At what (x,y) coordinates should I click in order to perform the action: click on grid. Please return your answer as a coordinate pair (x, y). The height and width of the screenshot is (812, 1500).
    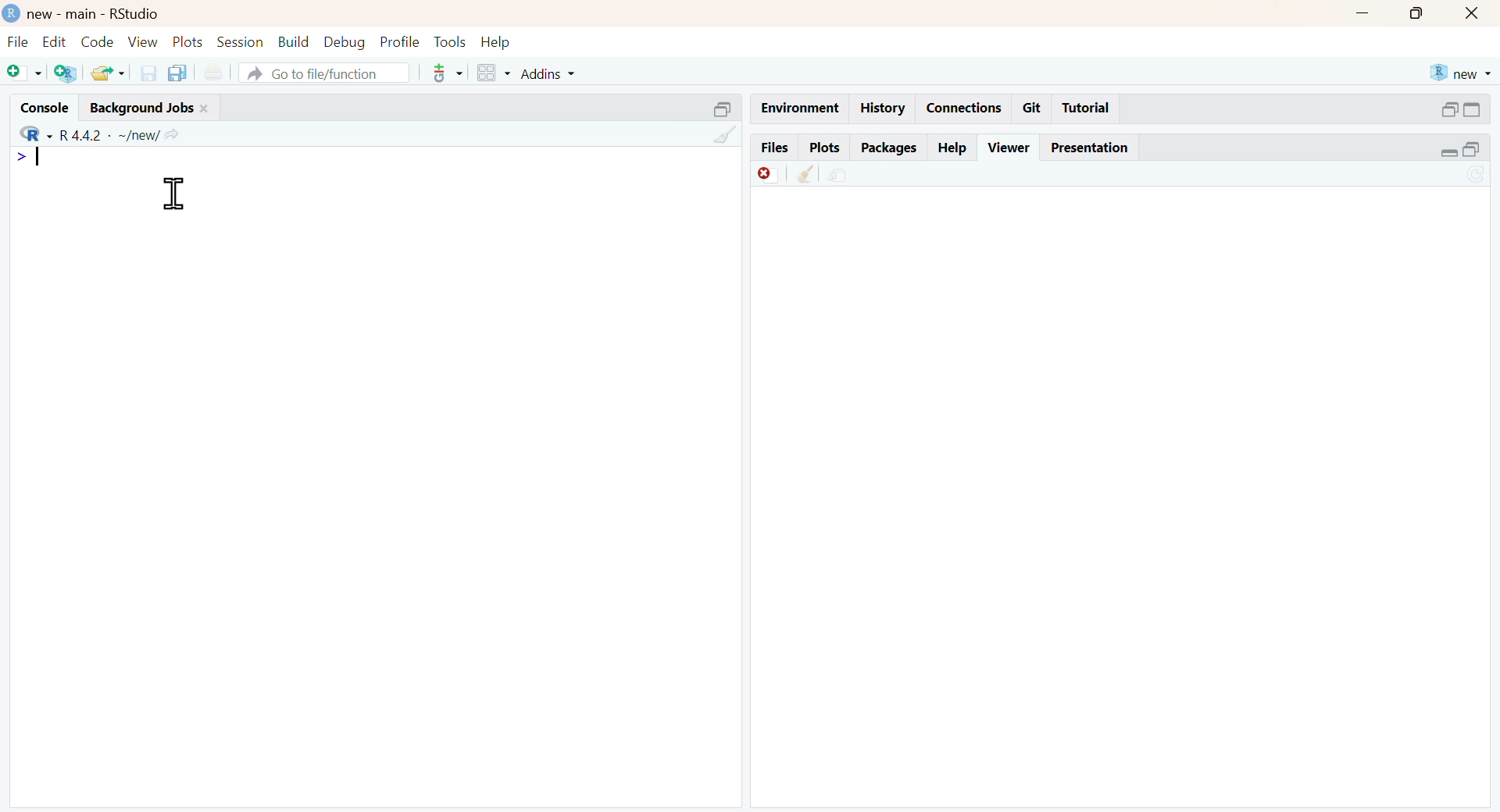
    Looking at the image, I should click on (495, 72).